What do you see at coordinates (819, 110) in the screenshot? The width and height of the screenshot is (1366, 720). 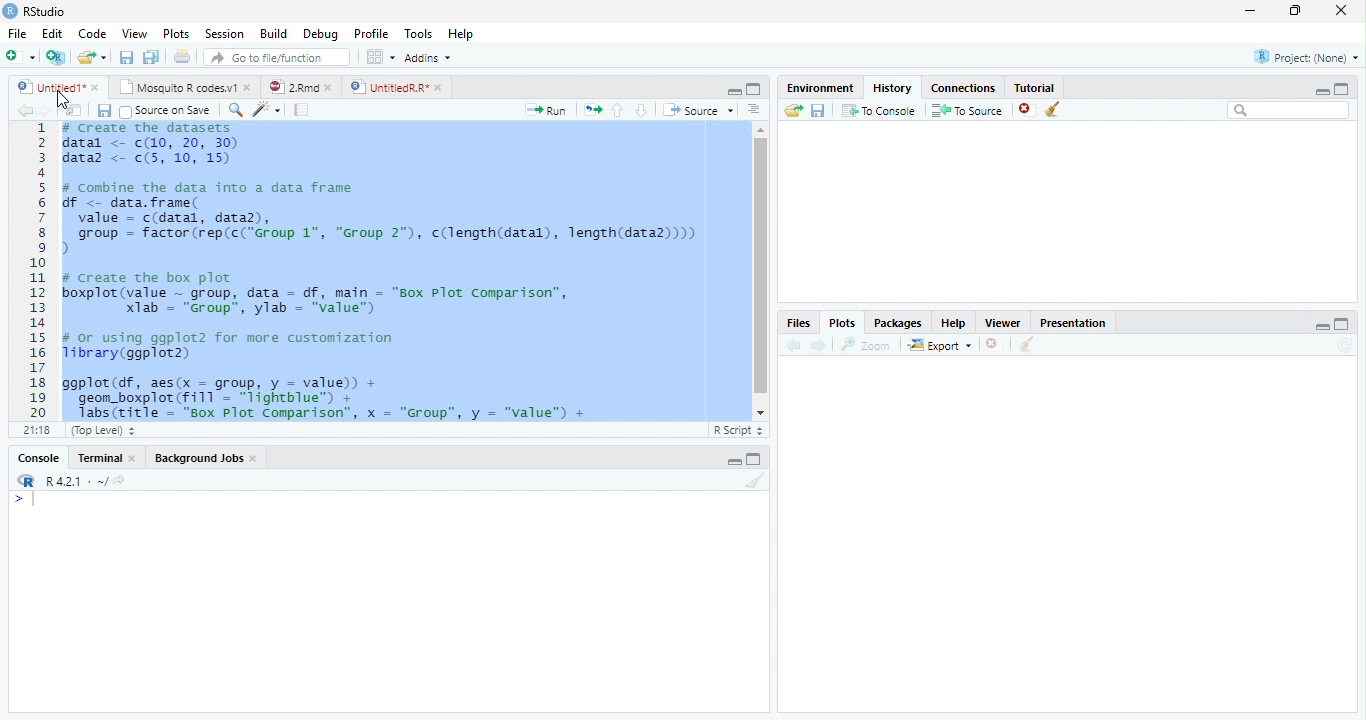 I see `Save history into a file` at bounding box center [819, 110].